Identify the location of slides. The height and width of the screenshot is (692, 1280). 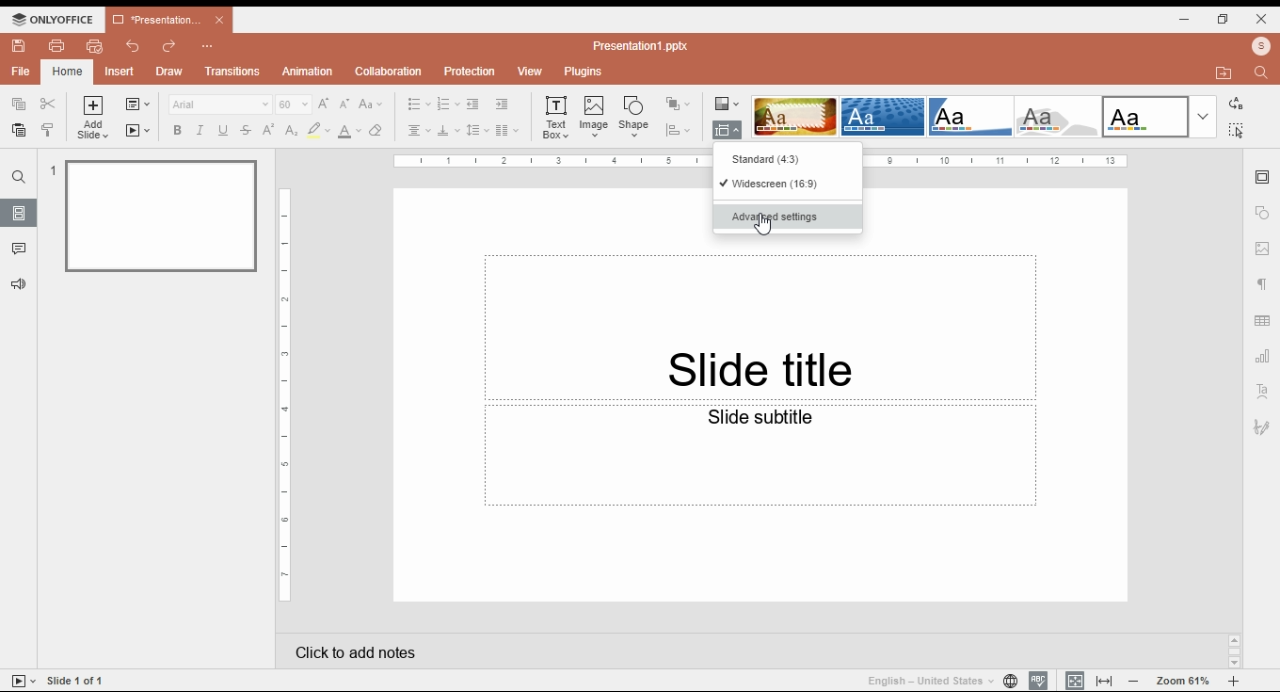
(19, 212).